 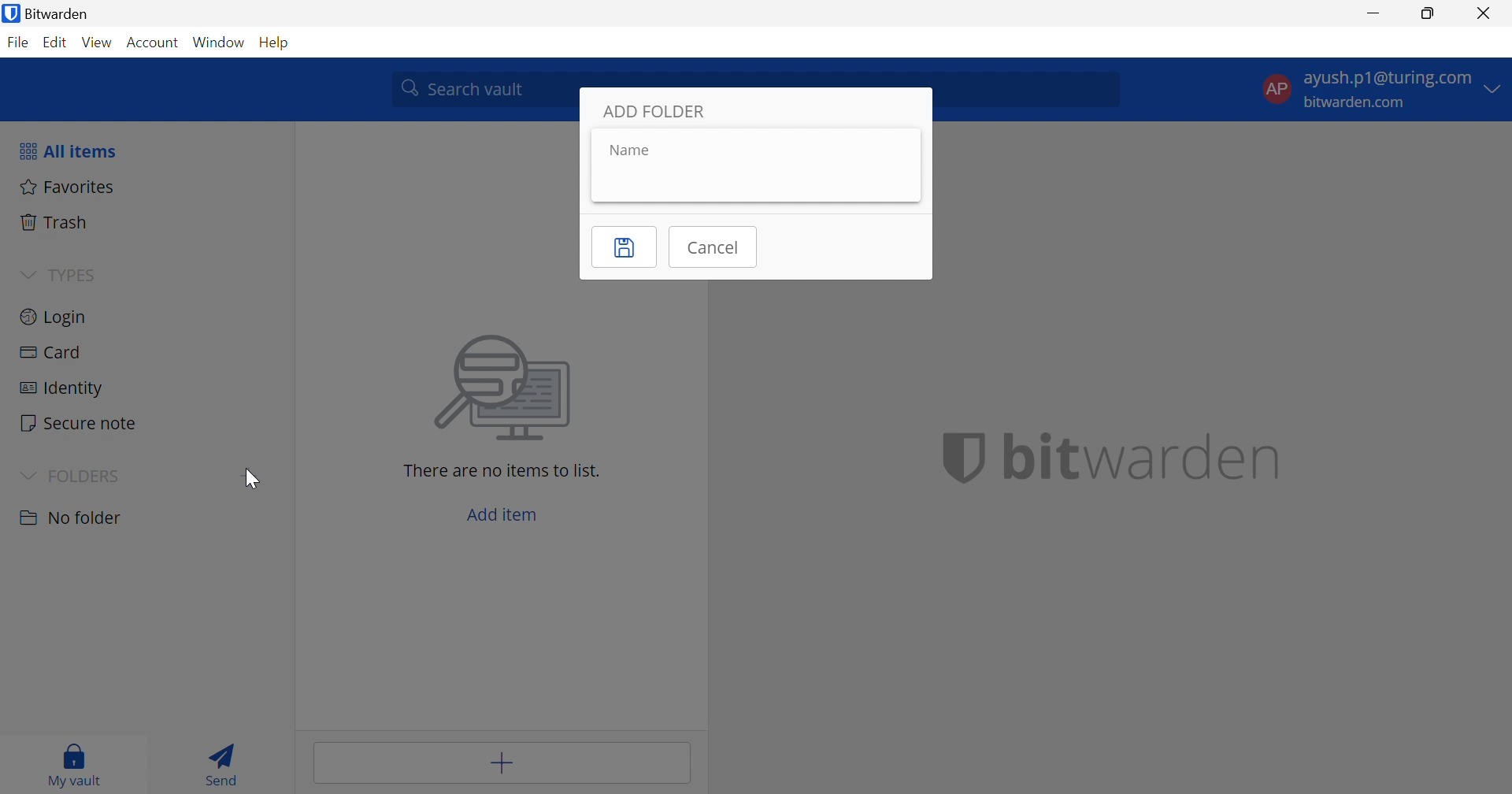 What do you see at coordinates (632, 151) in the screenshot?
I see `Name` at bounding box center [632, 151].